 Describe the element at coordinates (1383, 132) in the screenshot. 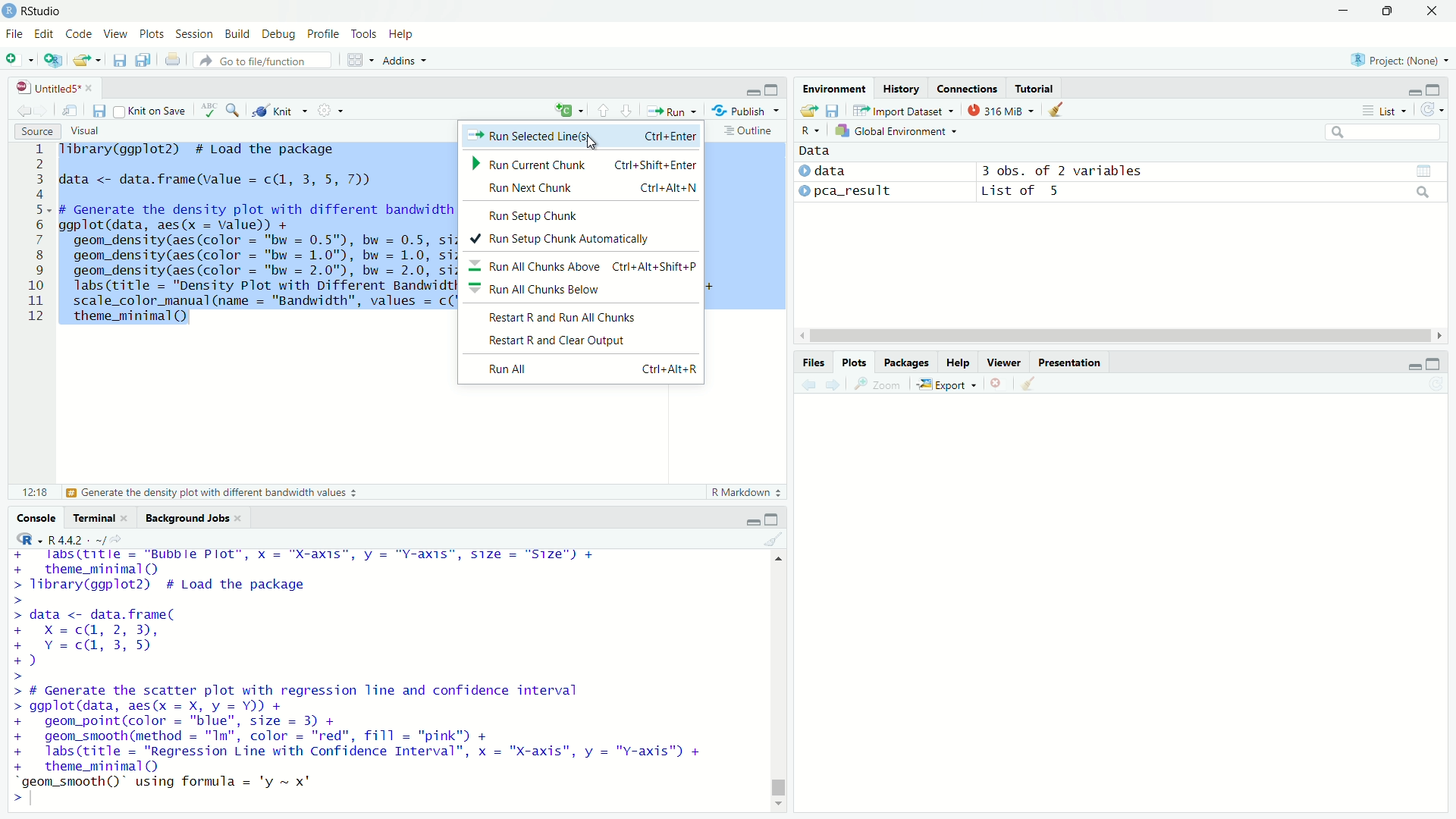

I see `Search` at that location.